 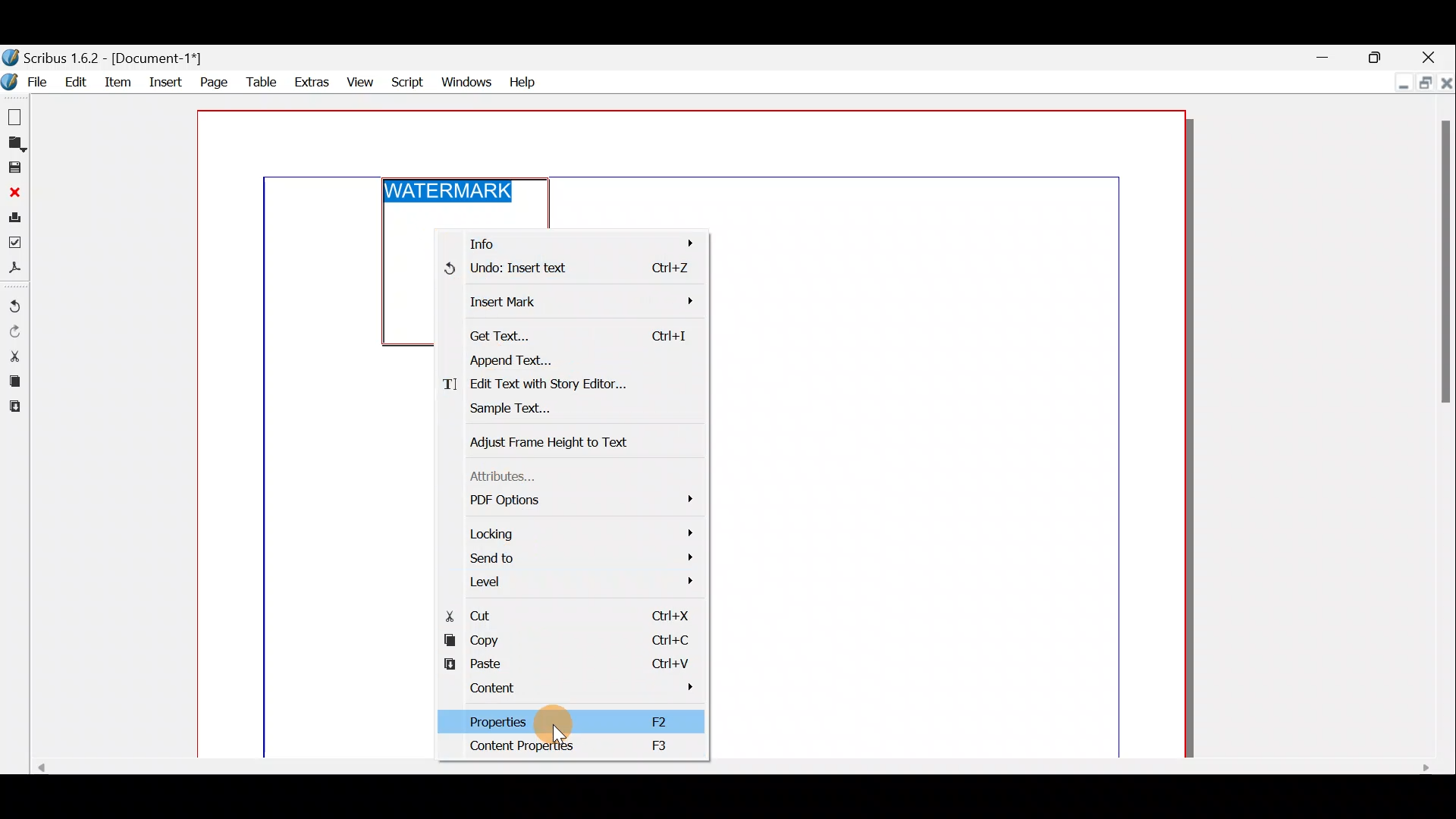 What do you see at coordinates (77, 81) in the screenshot?
I see `Edit` at bounding box center [77, 81].